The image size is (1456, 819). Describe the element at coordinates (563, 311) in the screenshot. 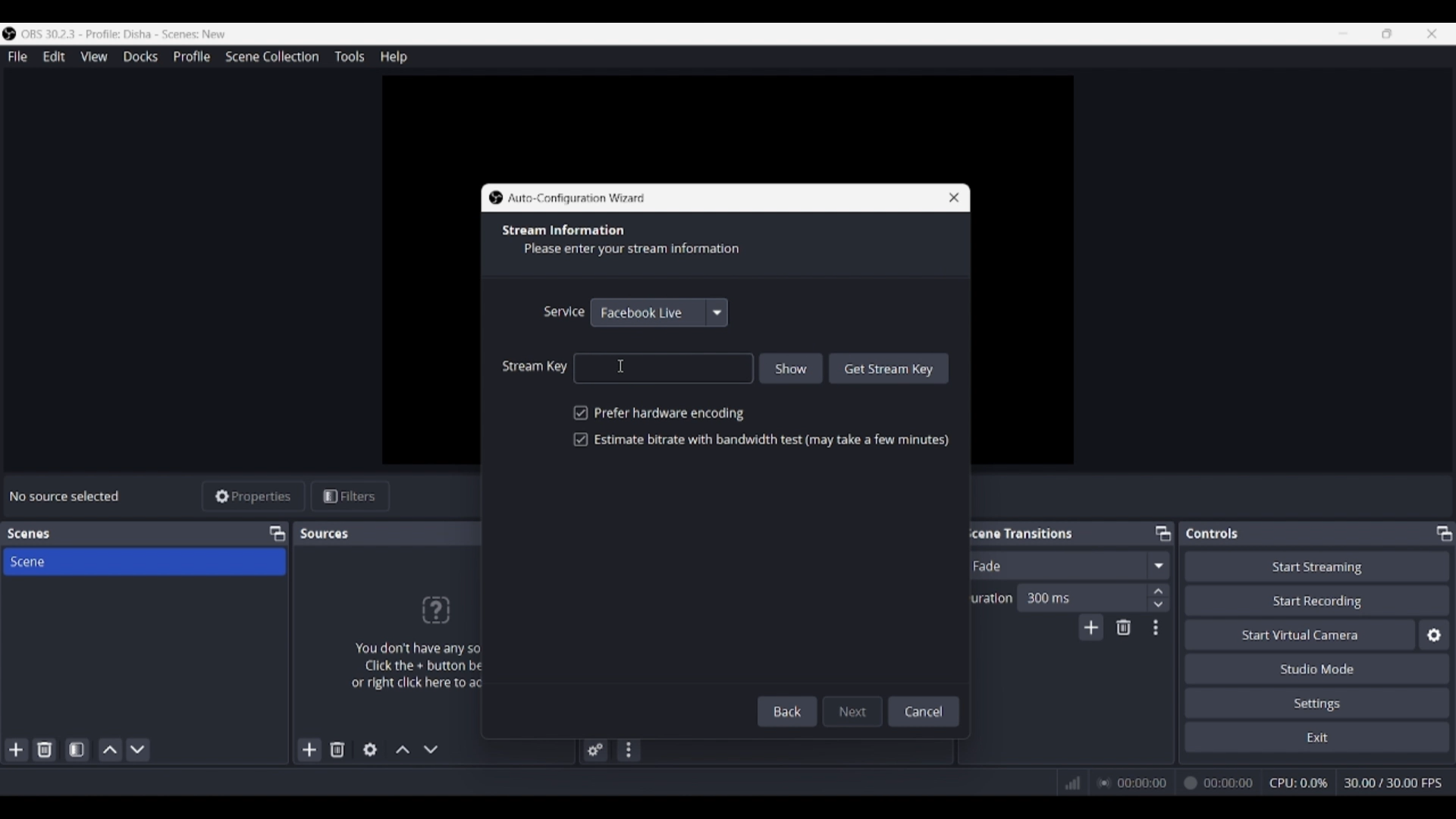

I see `Indicates service options` at that location.